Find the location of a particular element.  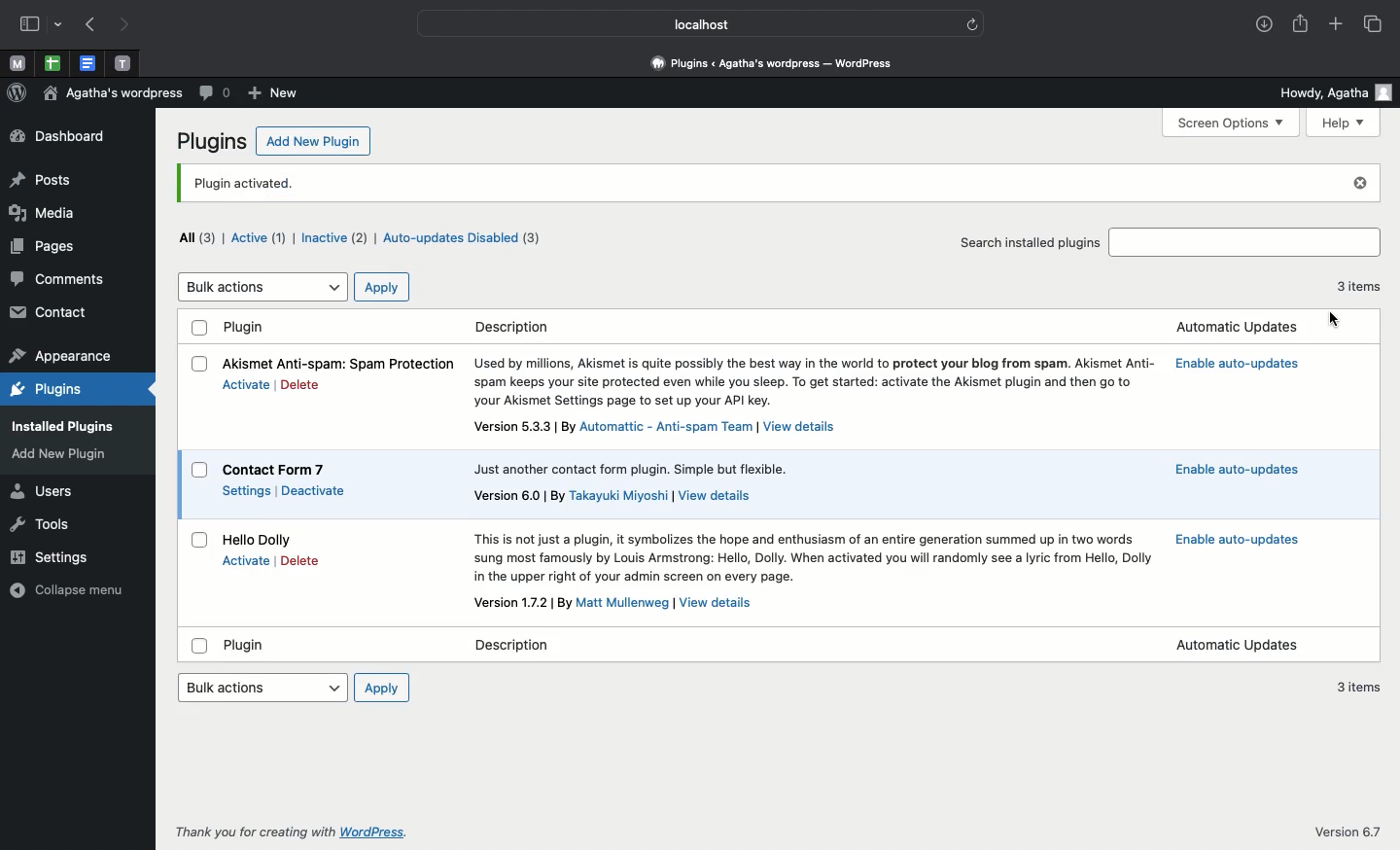

Pinned tabs is located at coordinates (89, 64).